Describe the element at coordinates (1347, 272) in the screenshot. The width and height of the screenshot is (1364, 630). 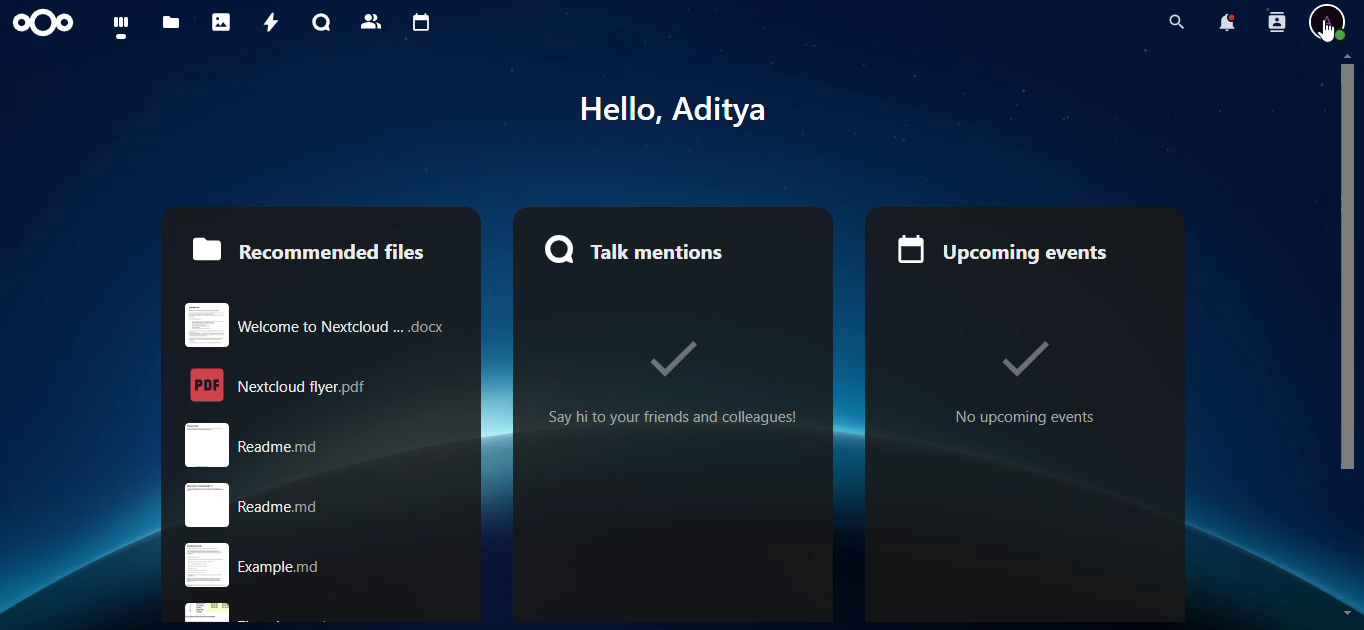
I see `scroll bar` at that location.